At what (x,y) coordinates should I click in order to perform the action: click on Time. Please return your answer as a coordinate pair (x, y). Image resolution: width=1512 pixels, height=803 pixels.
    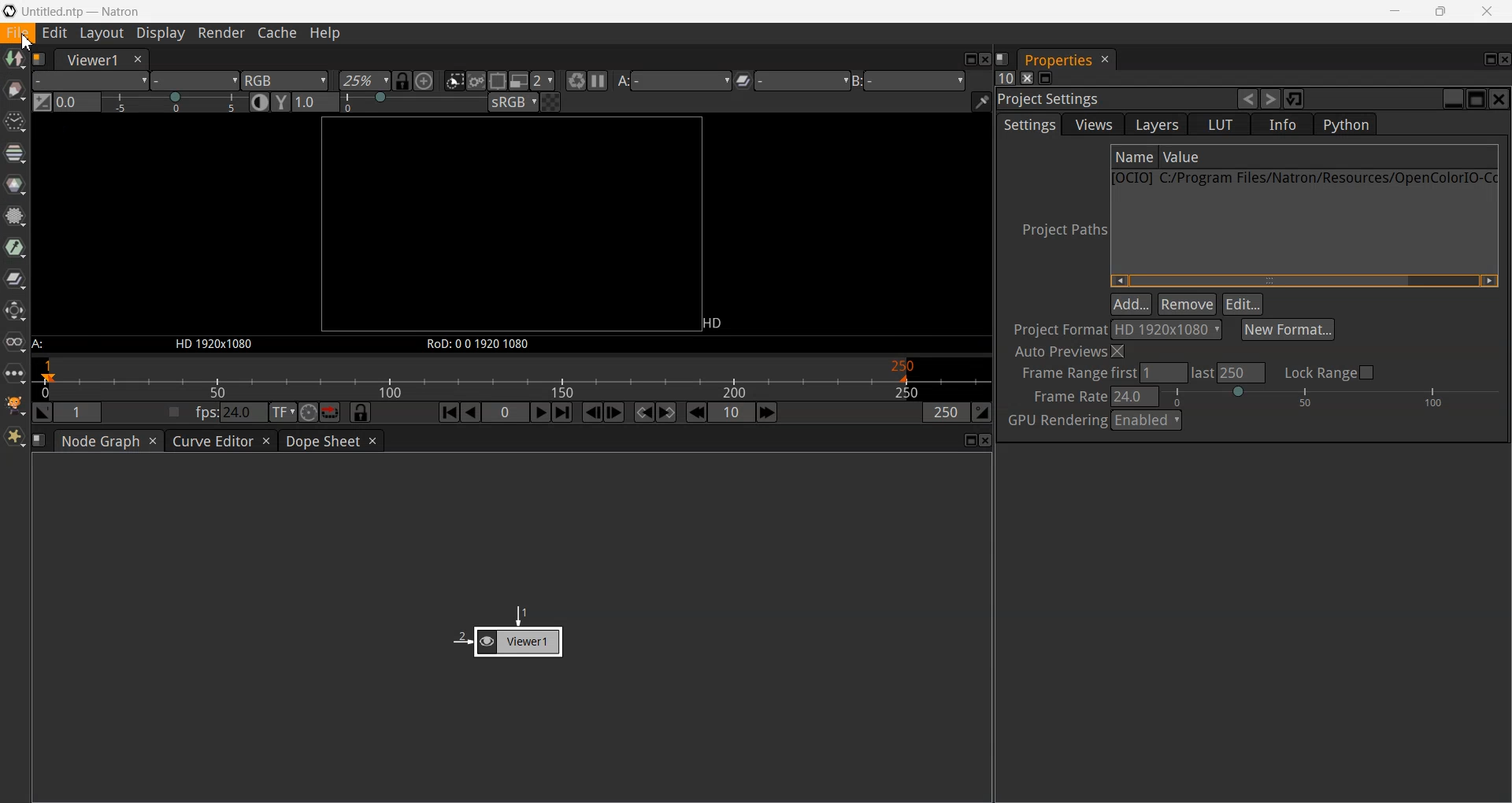
    Looking at the image, I should click on (15, 122).